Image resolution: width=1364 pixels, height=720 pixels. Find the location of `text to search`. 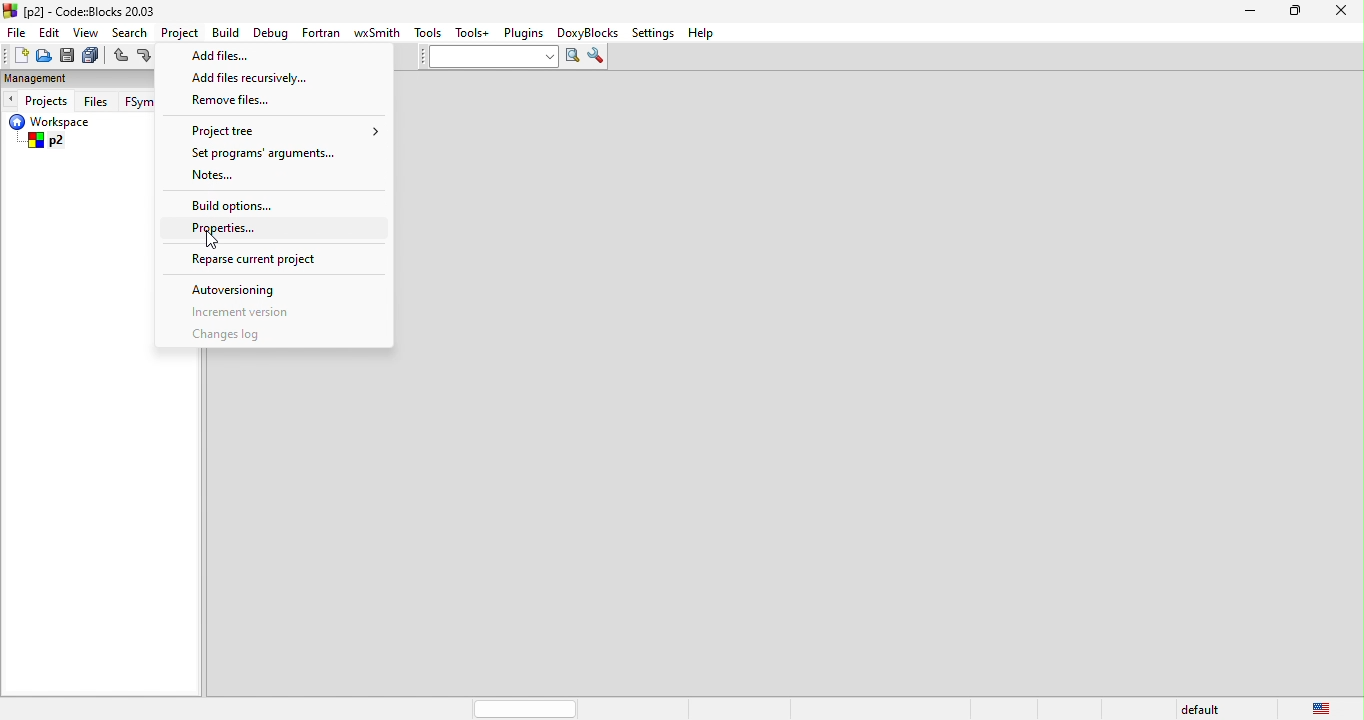

text to search is located at coordinates (483, 57).